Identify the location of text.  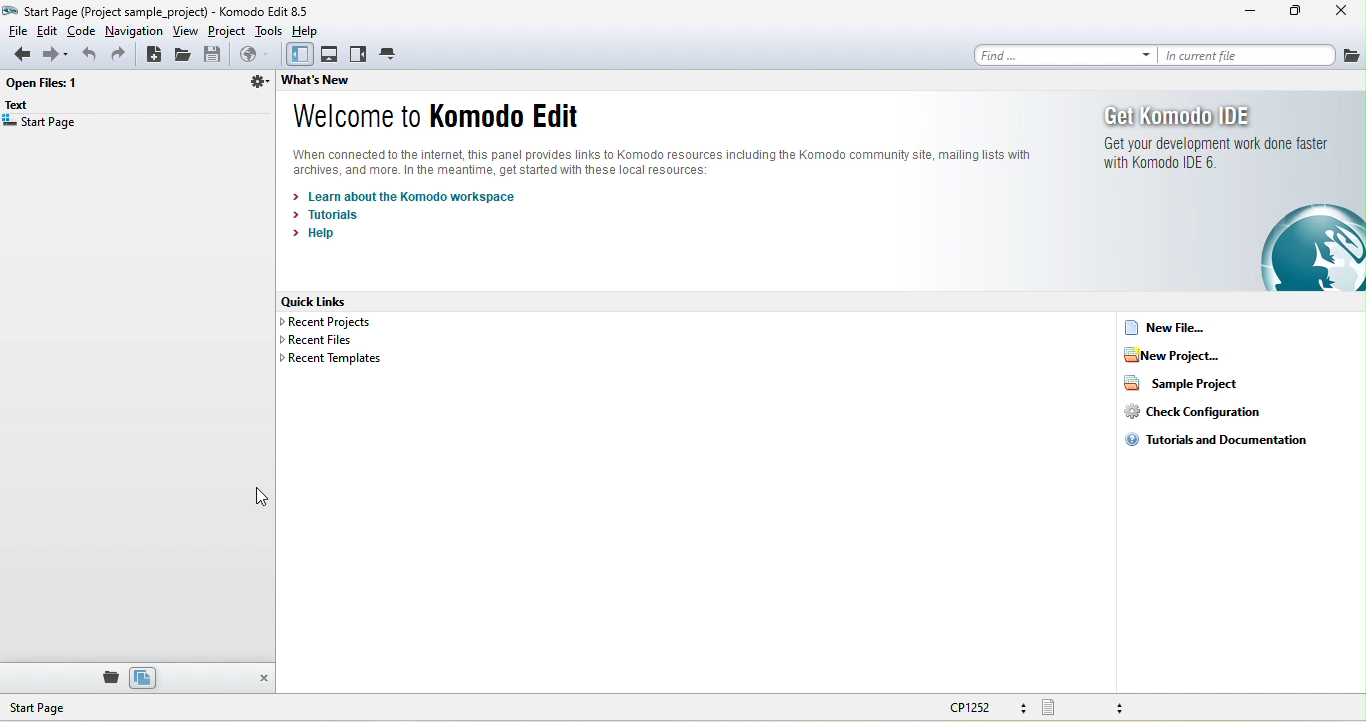
(23, 106).